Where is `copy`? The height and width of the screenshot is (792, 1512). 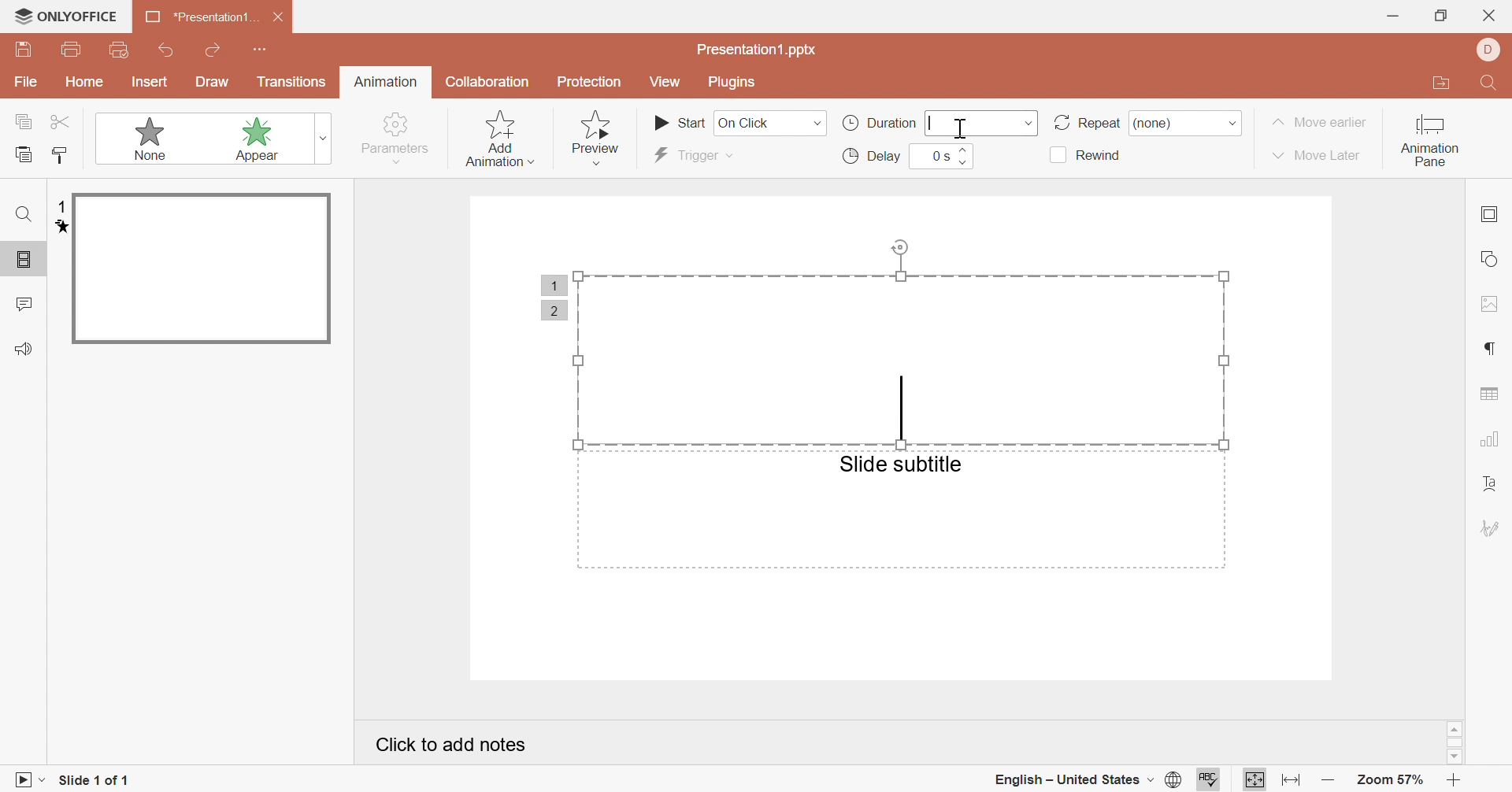 copy is located at coordinates (24, 120).